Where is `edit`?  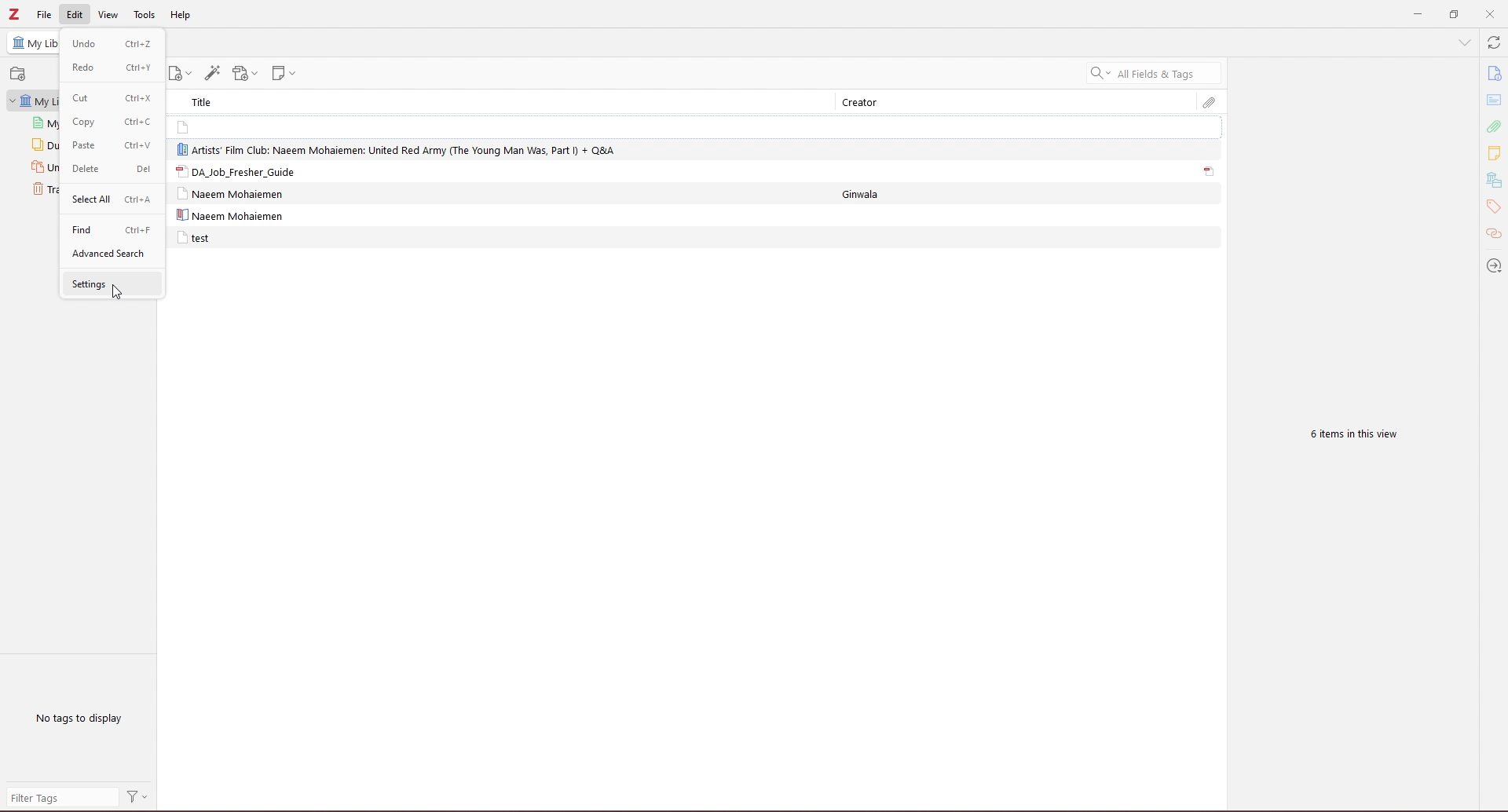
edit is located at coordinates (75, 14).